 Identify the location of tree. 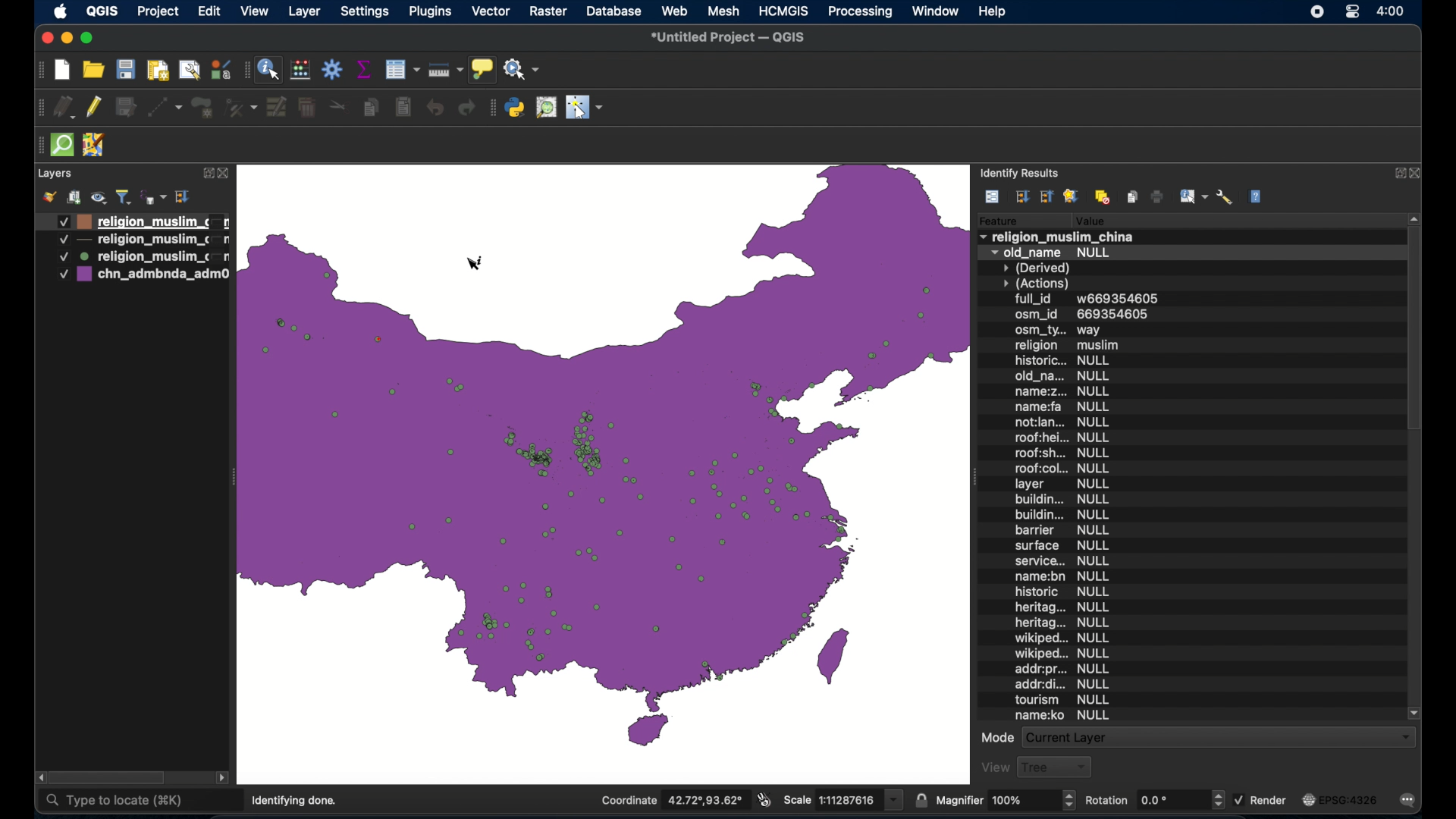
(1056, 767).